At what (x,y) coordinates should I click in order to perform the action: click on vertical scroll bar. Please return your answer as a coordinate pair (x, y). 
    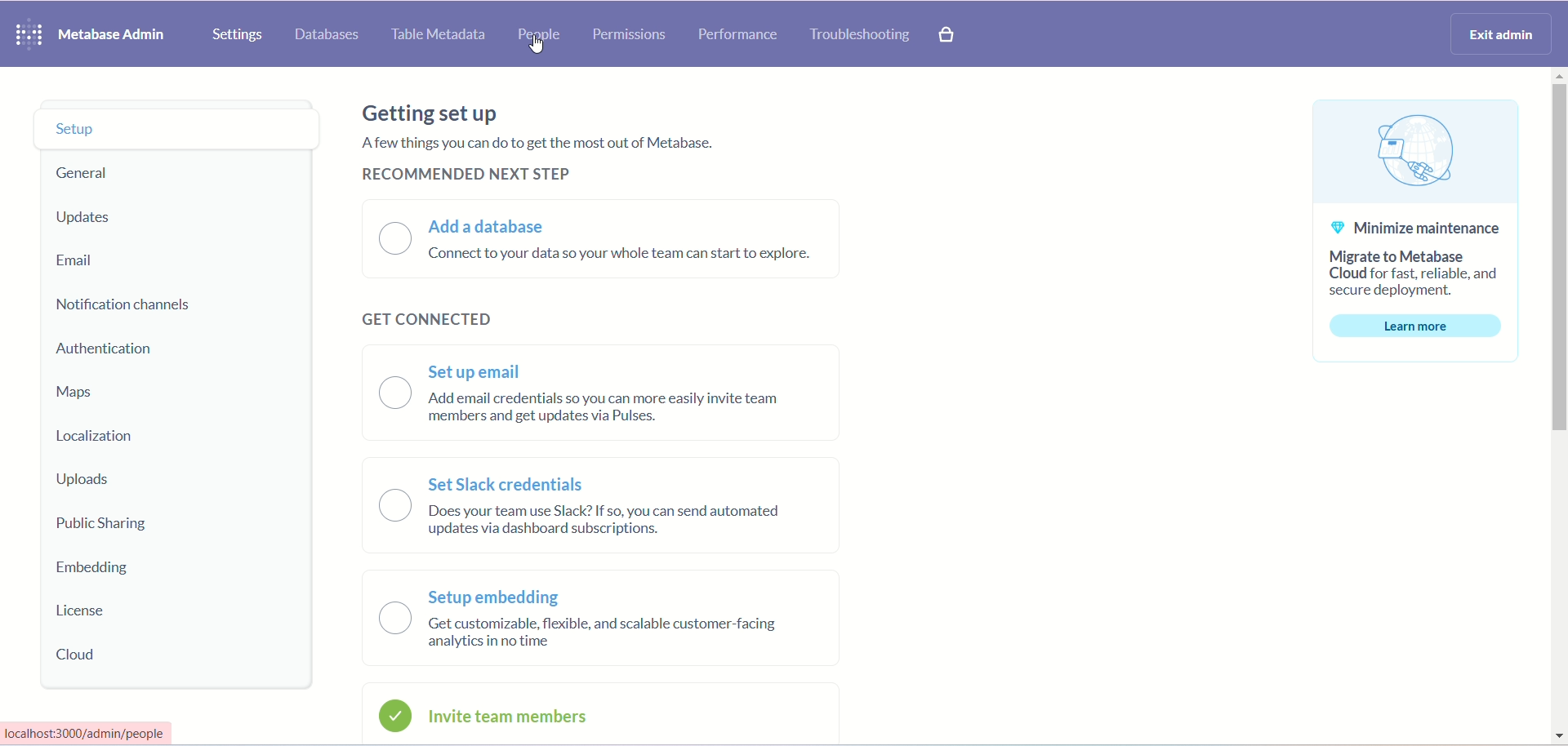
    Looking at the image, I should click on (1558, 406).